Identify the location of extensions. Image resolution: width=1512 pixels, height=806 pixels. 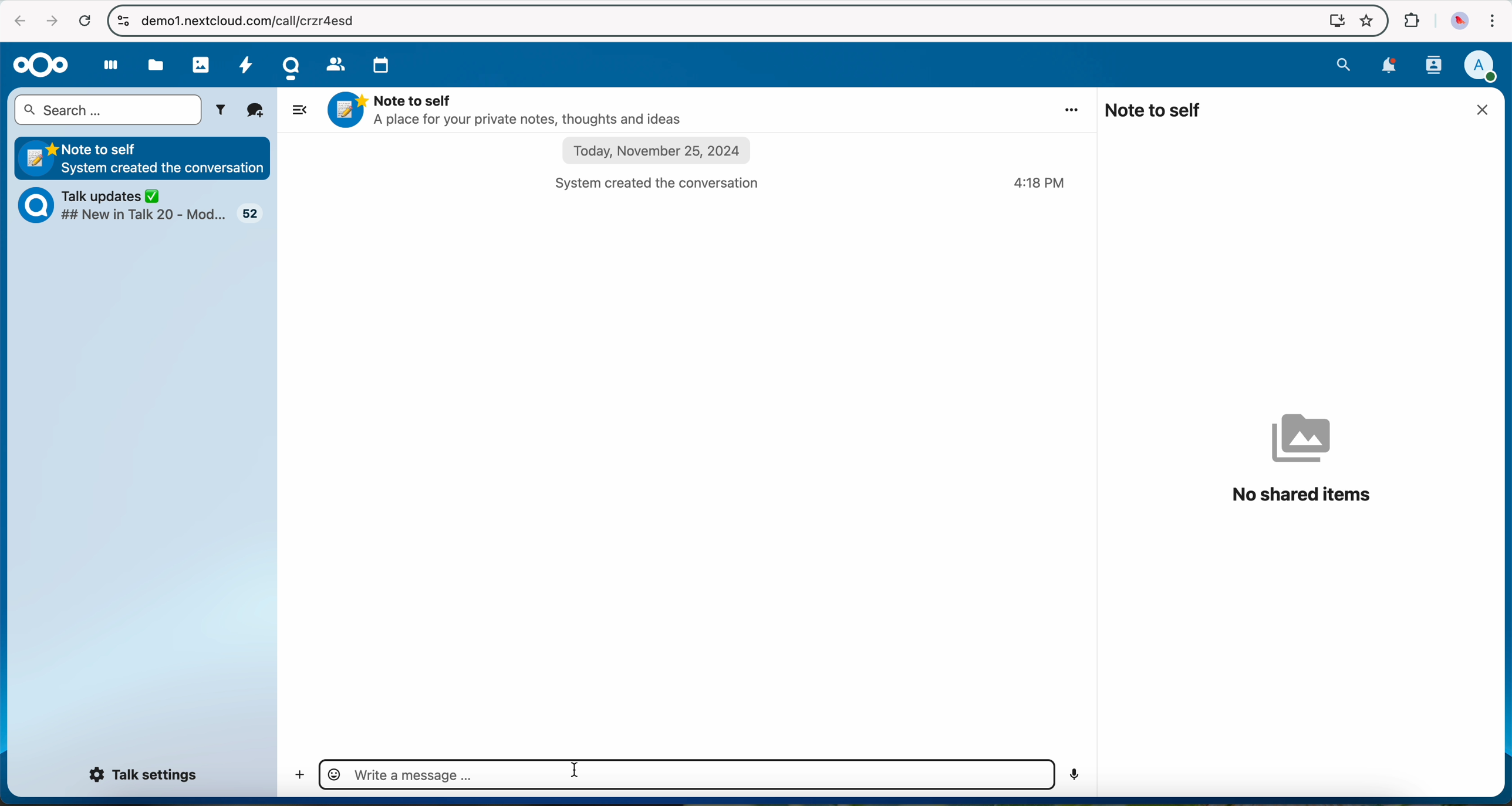
(1412, 21).